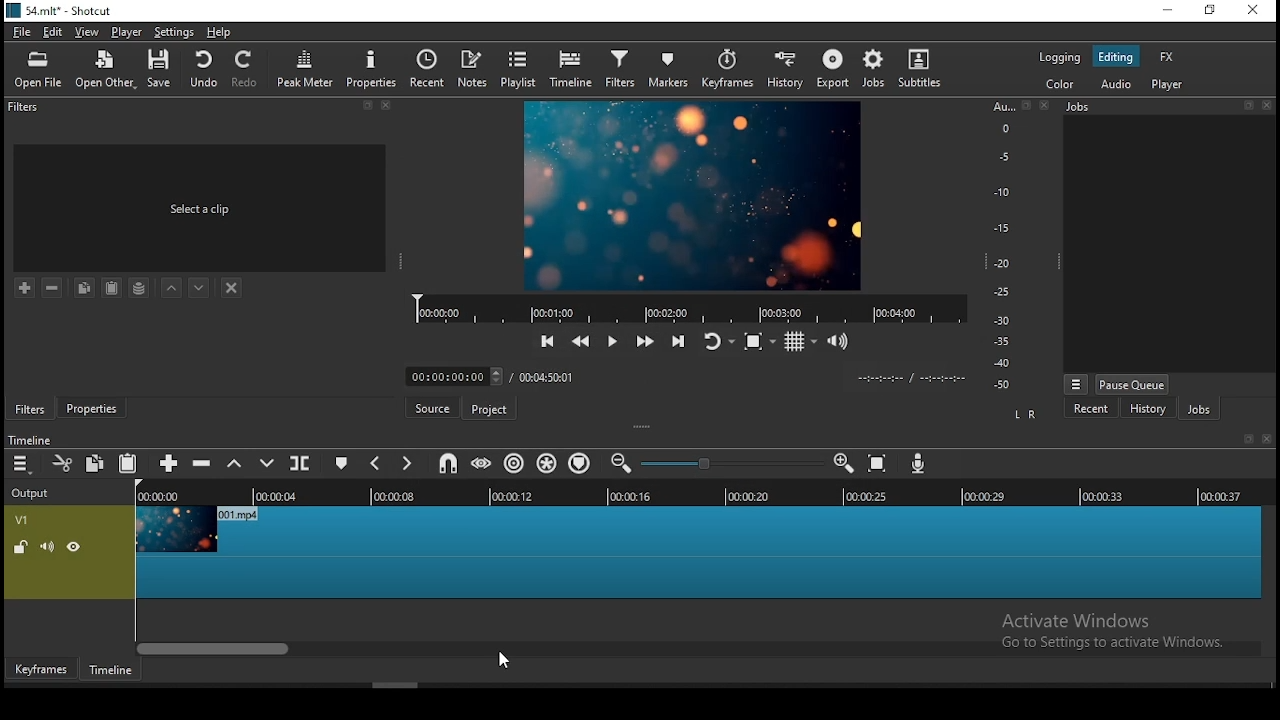  I want to click on add filter, so click(25, 289).